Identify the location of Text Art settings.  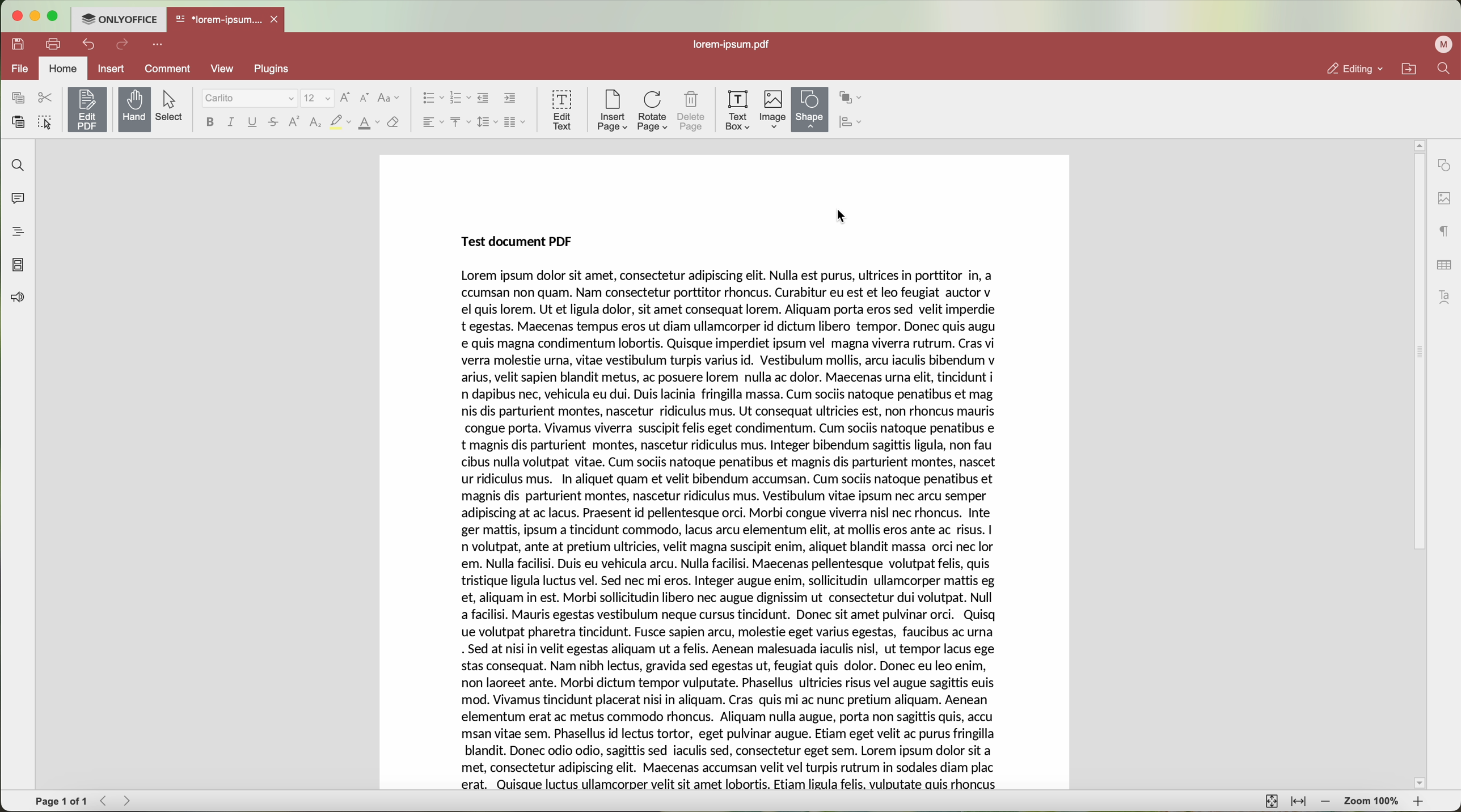
(1446, 295).